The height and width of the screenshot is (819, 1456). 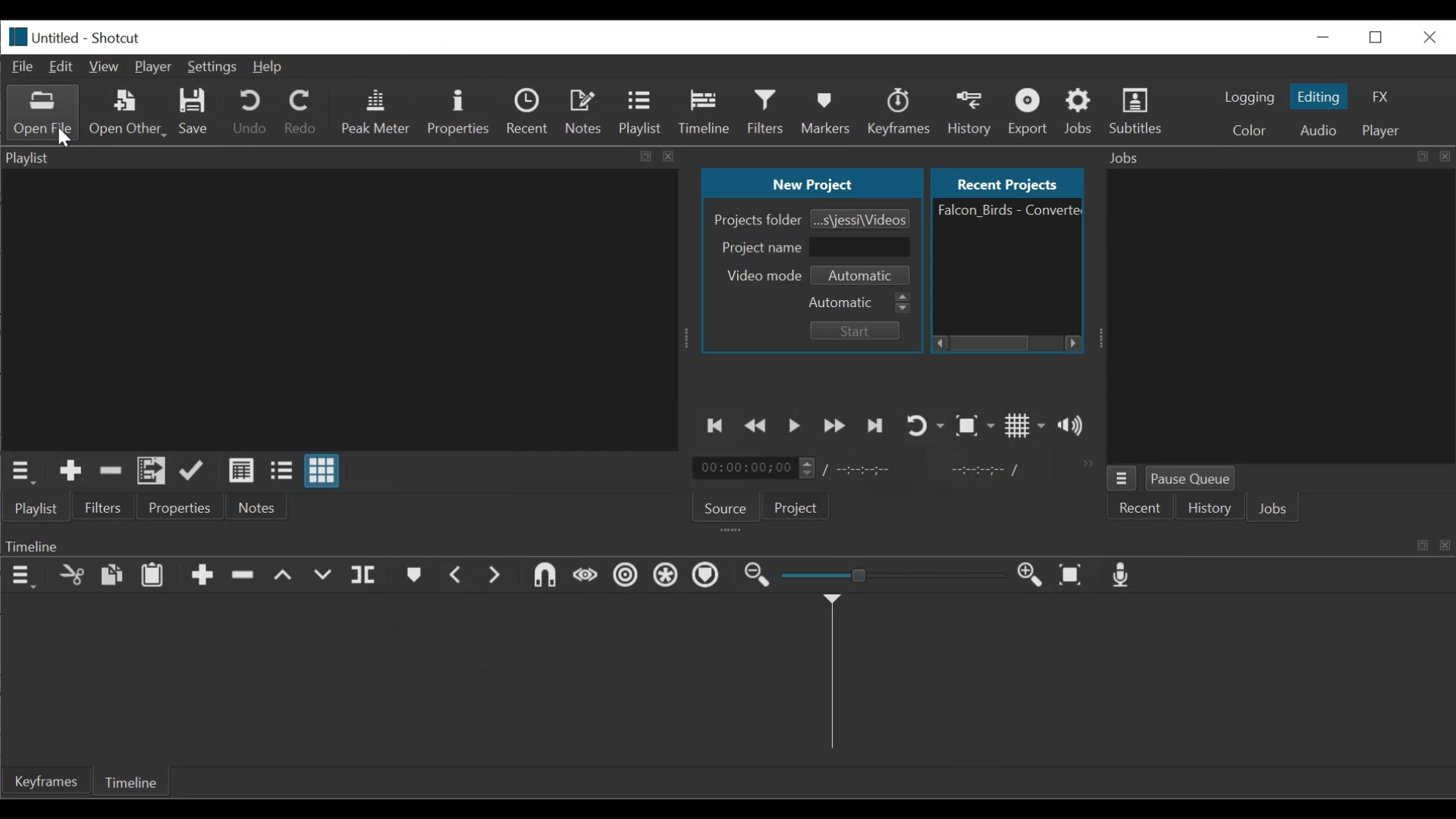 What do you see at coordinates (876, 426) in the screenshot?
I see `Skip to the next point` at bounding box center [876, 426].